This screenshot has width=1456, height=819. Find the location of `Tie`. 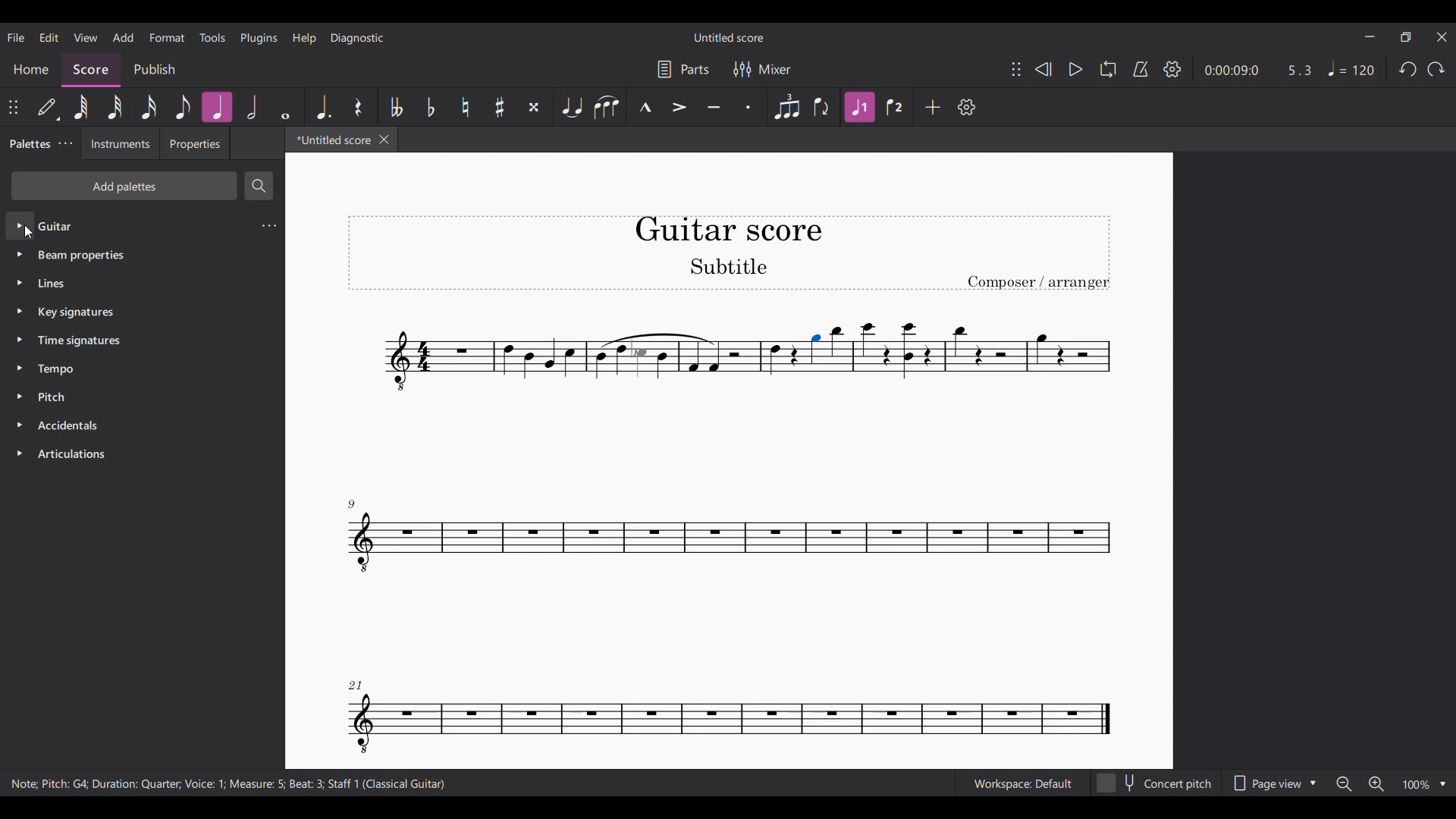

Tie is located at coordinates (570, 107).